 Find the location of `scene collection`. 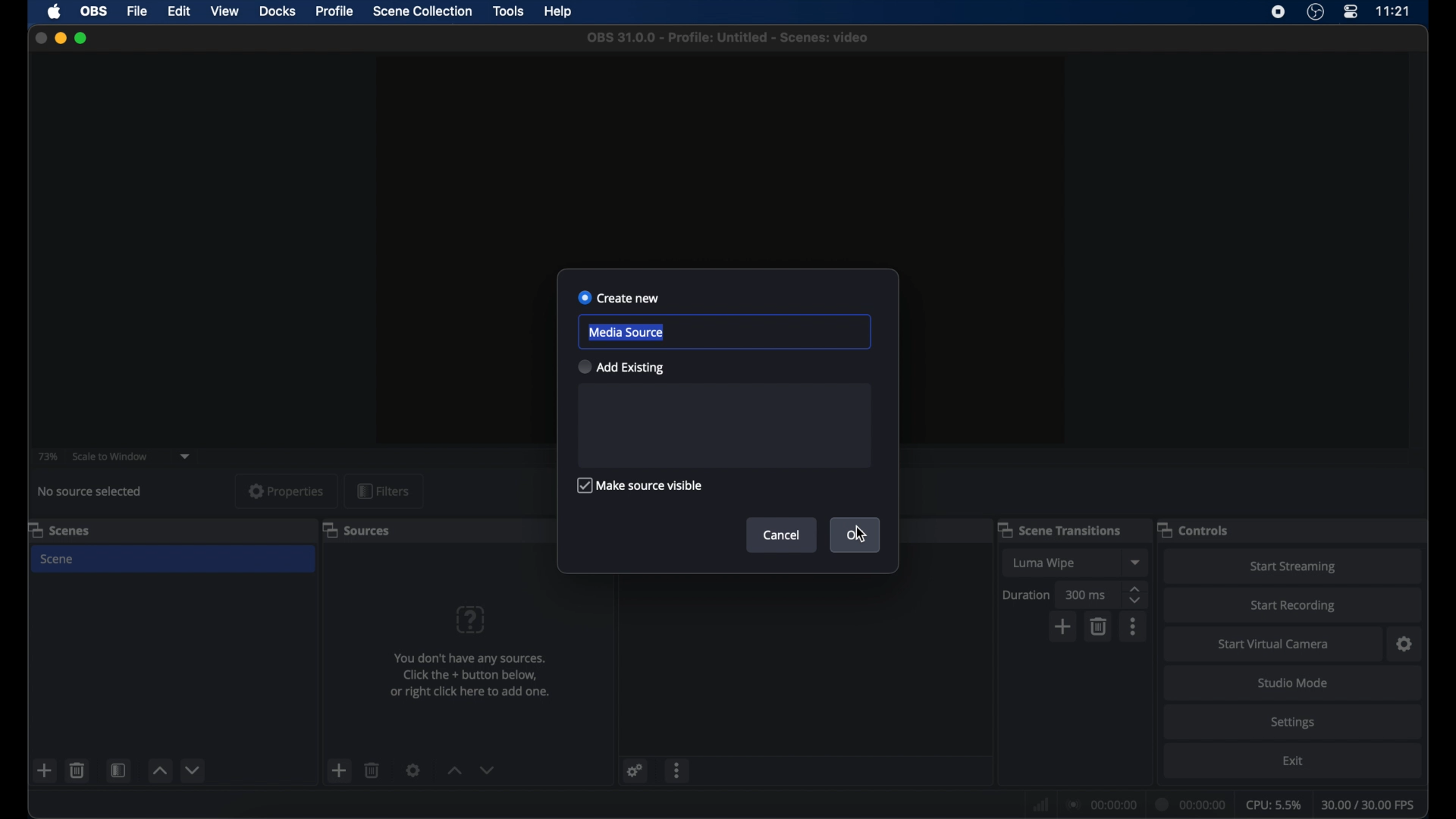

scene collection is located at coordinates (422, 11).